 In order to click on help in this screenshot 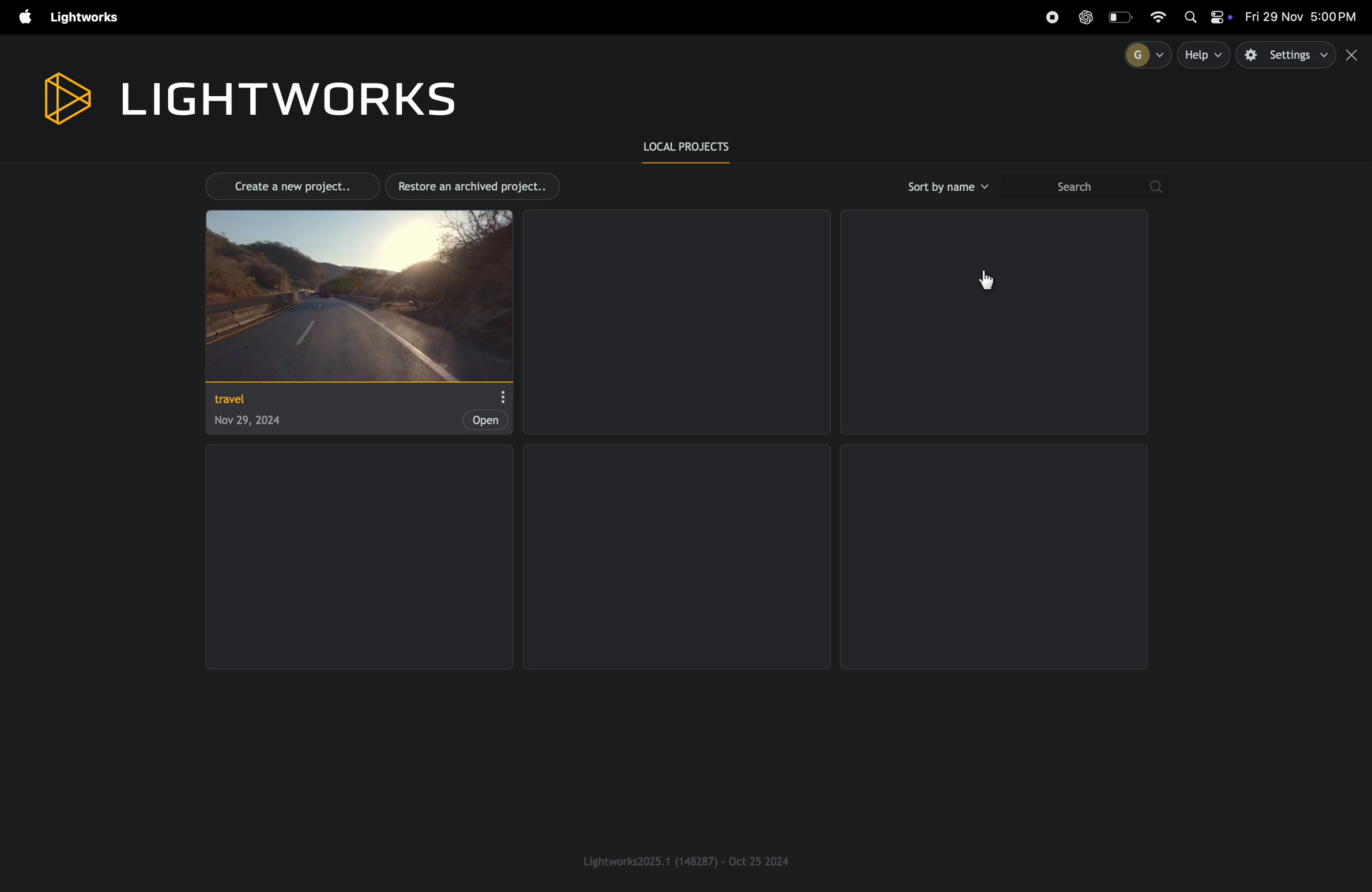, I will do `click(1205, 55)`.